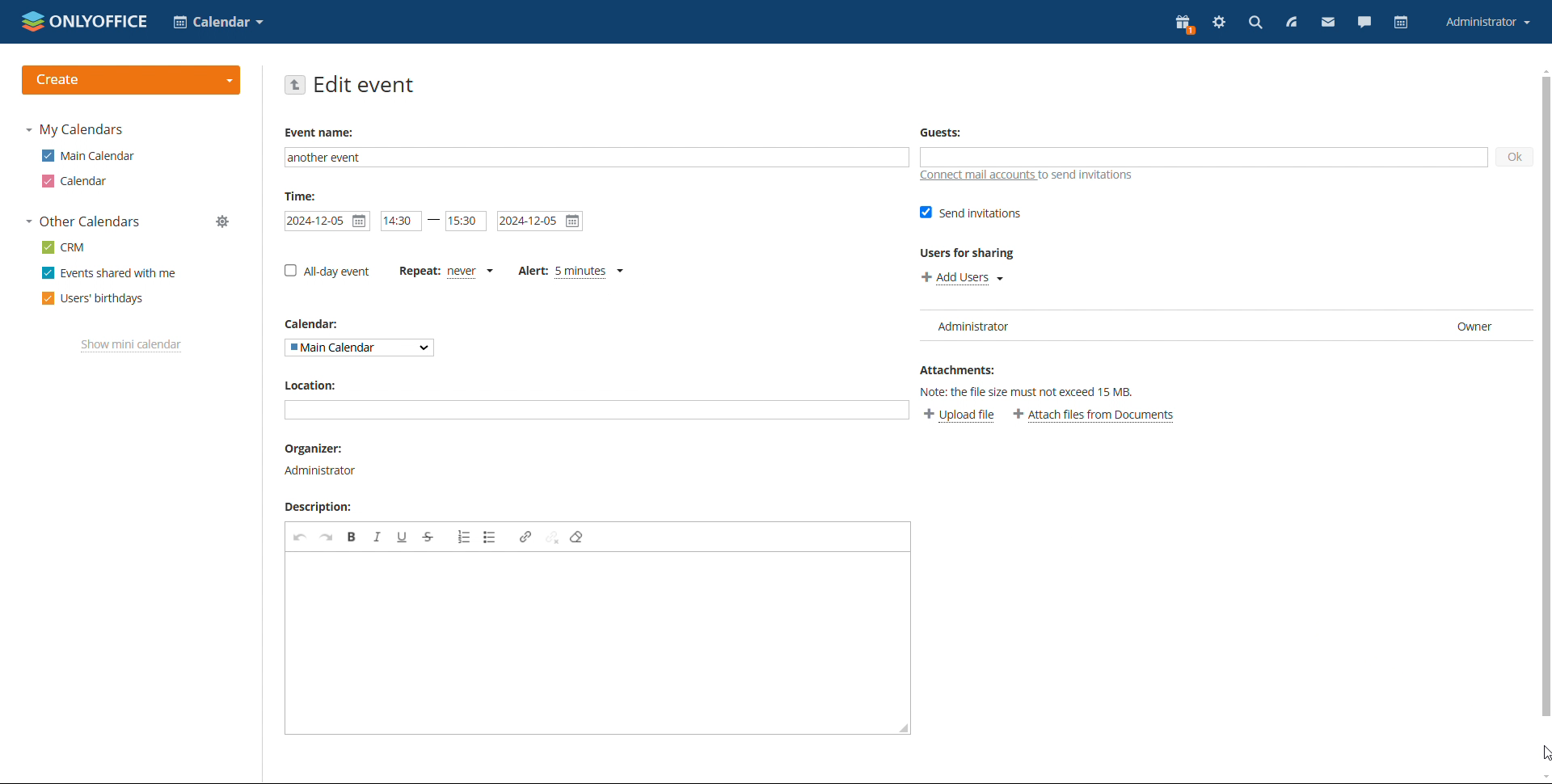 The height and width of the screenshot is (784, 1552). What do you see at coordinates (577, 537) in the screenshot?
I see `remove format` at bounding box center [577, 537].